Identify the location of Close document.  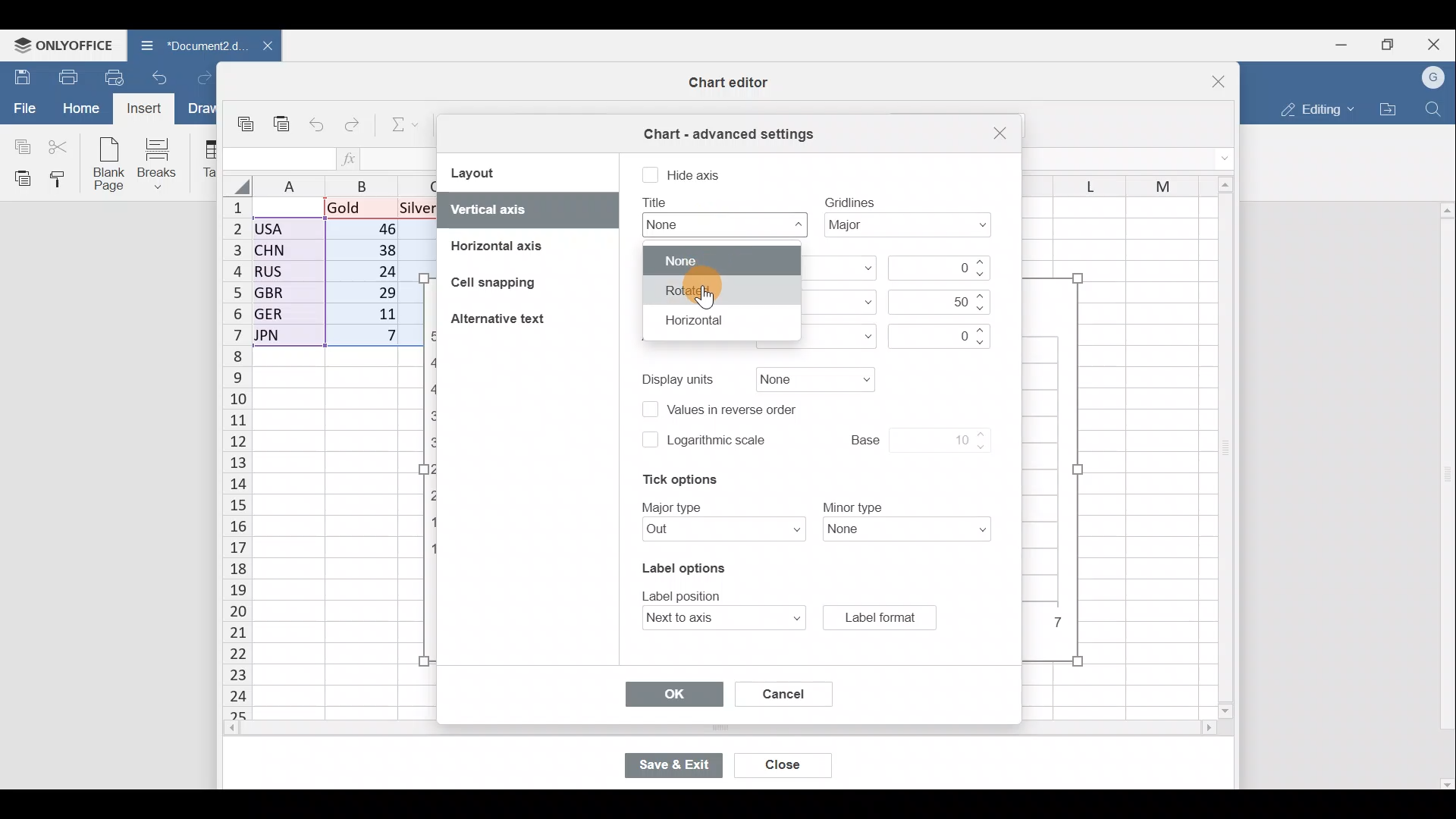
(259, 47).